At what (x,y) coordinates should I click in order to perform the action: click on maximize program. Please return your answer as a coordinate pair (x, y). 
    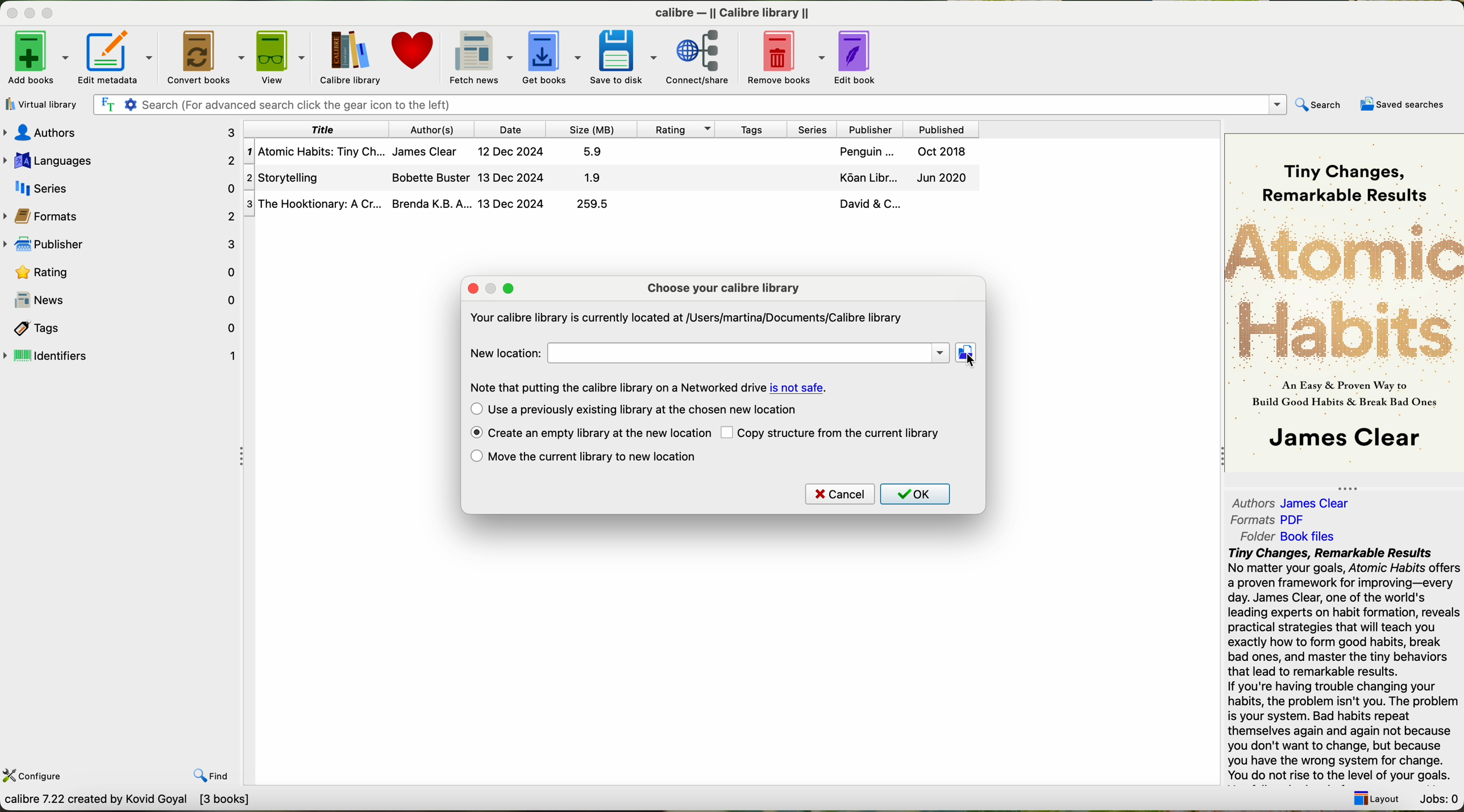
    Looking at the image, I should click on (55, 14).